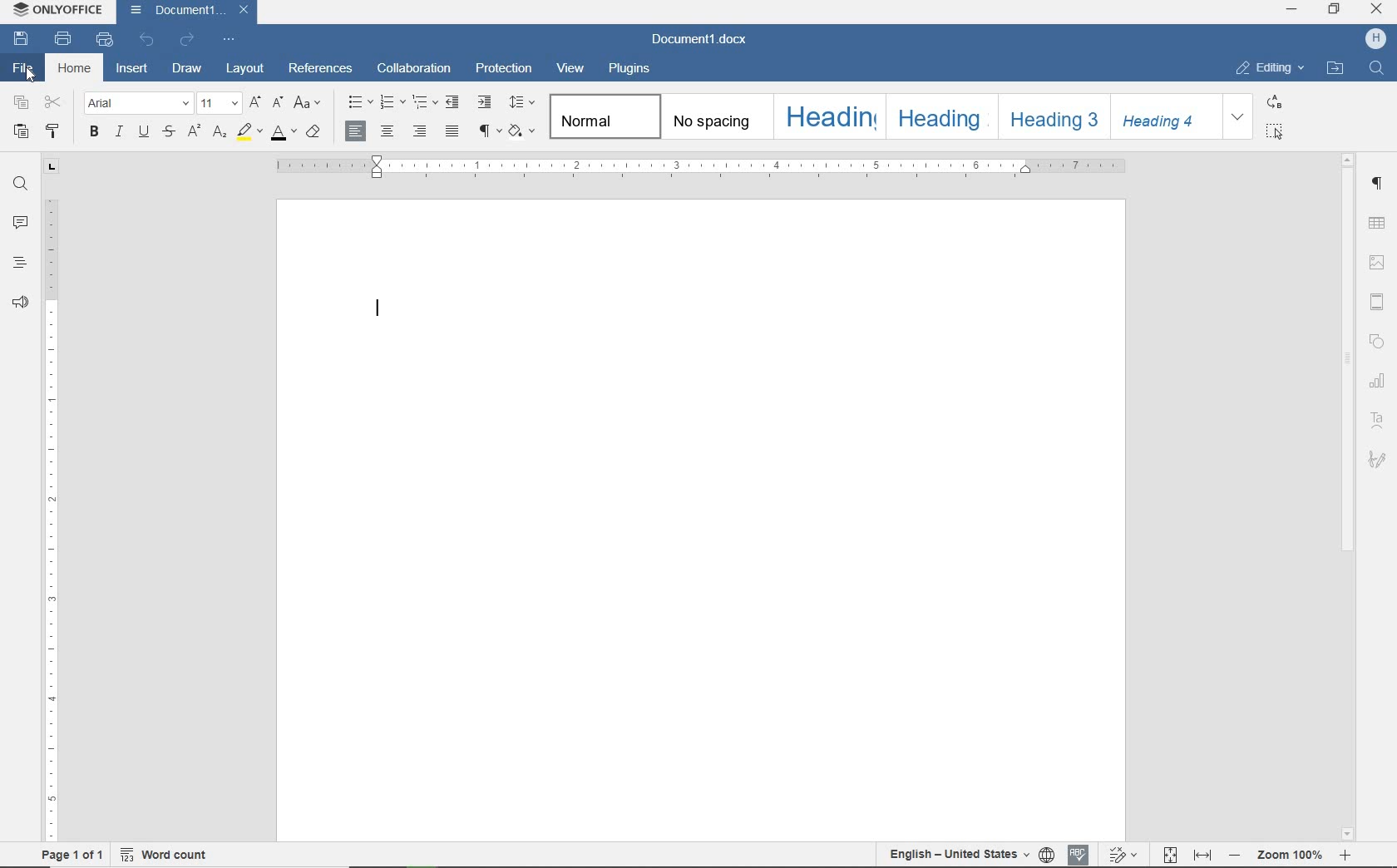  I want to click on numbering, so click(392, 102).